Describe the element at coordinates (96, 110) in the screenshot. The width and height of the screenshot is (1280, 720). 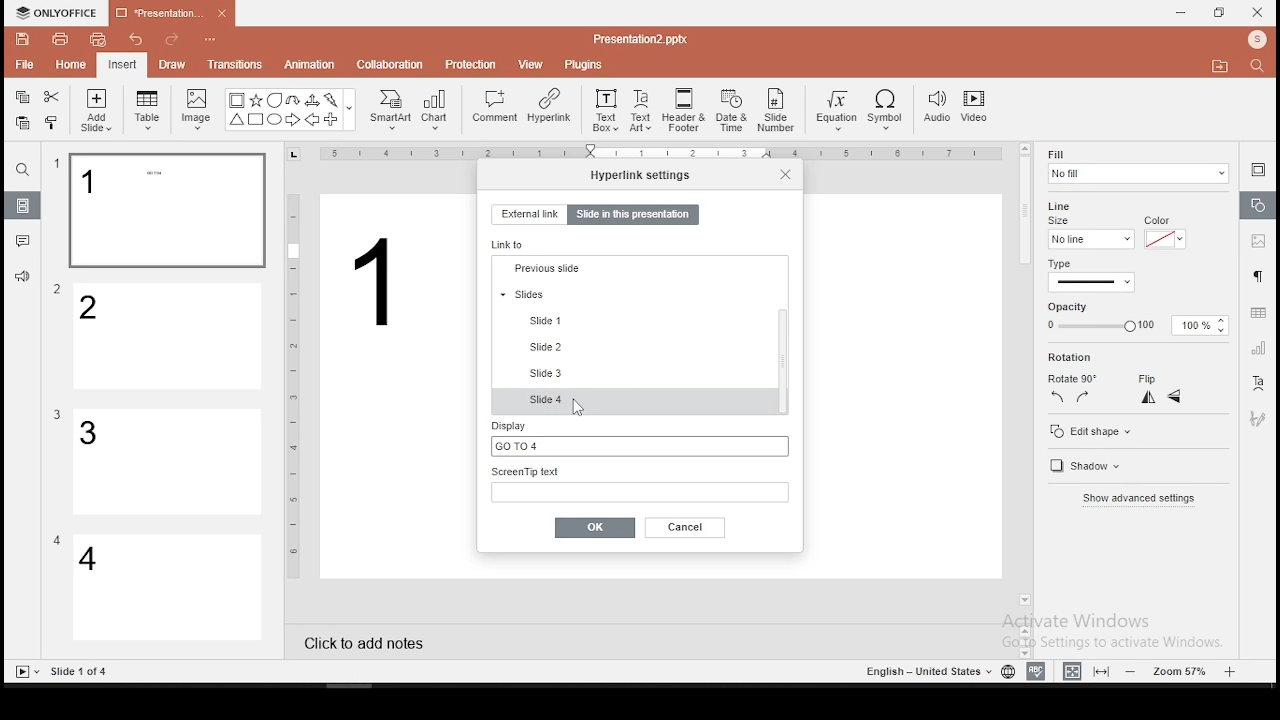
I see `add slide` at that location.